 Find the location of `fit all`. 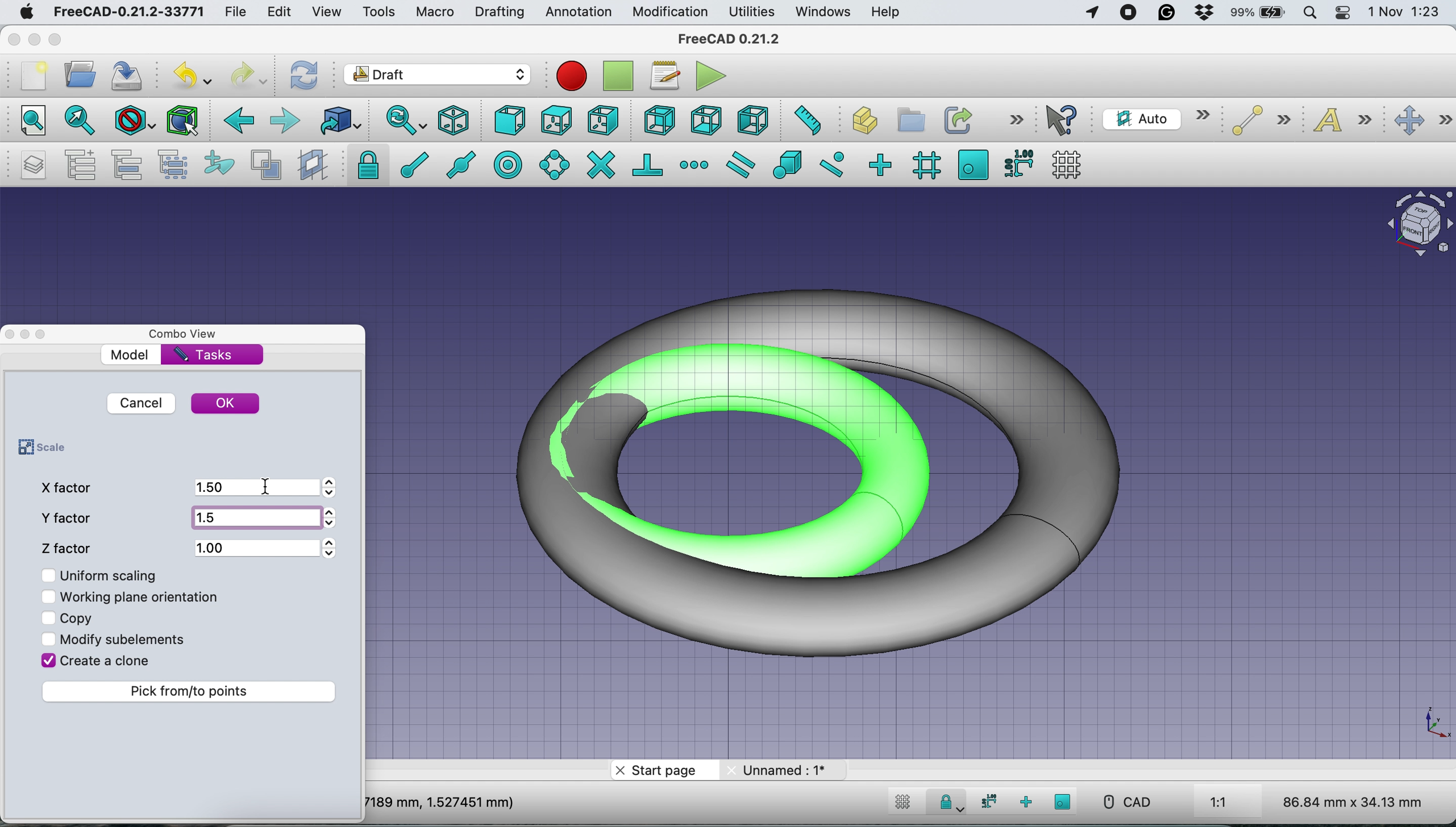

fit all is located at coordinates (30, 122).